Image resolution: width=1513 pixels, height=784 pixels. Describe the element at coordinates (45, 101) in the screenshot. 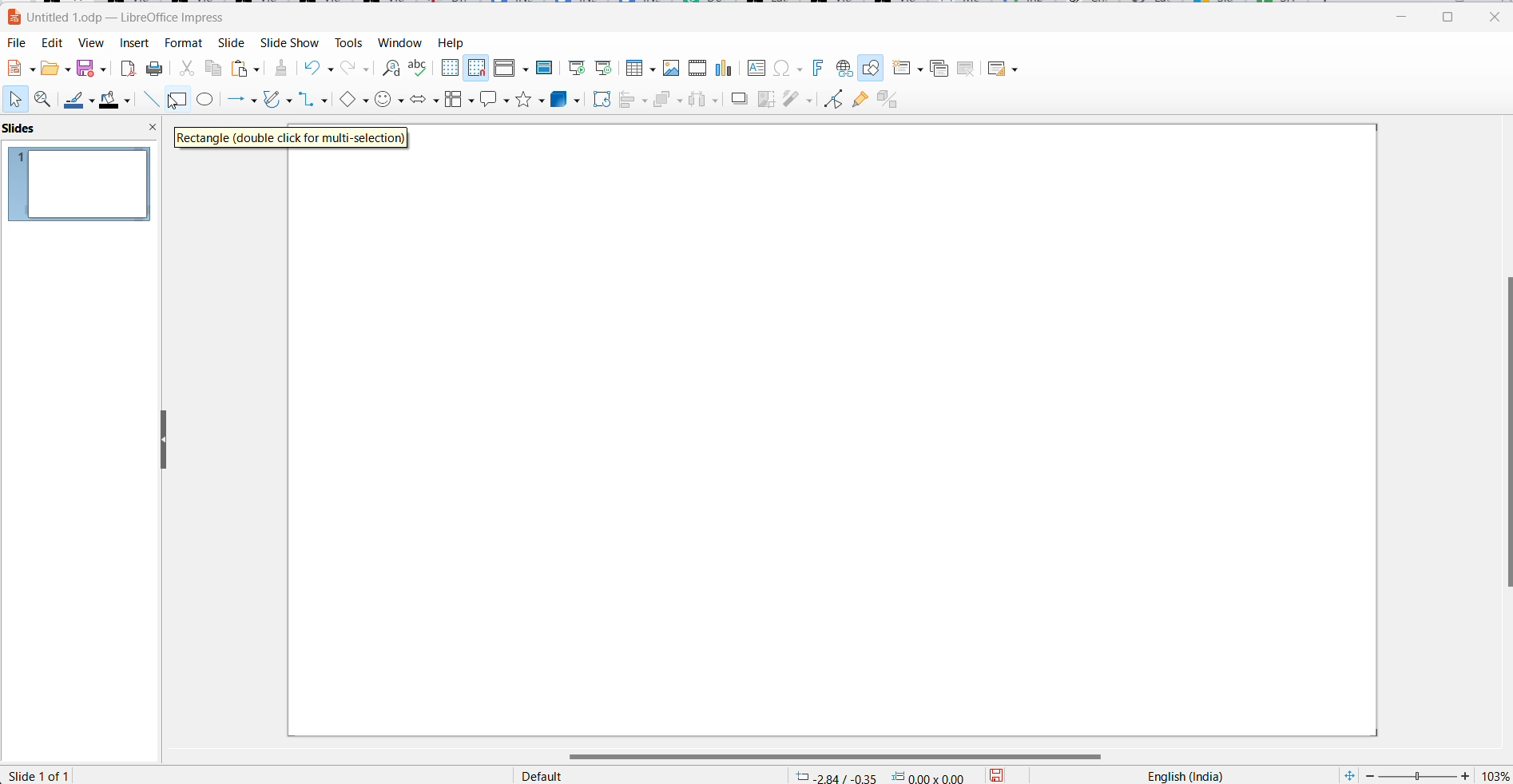

I see `zoom and pan` at that location.